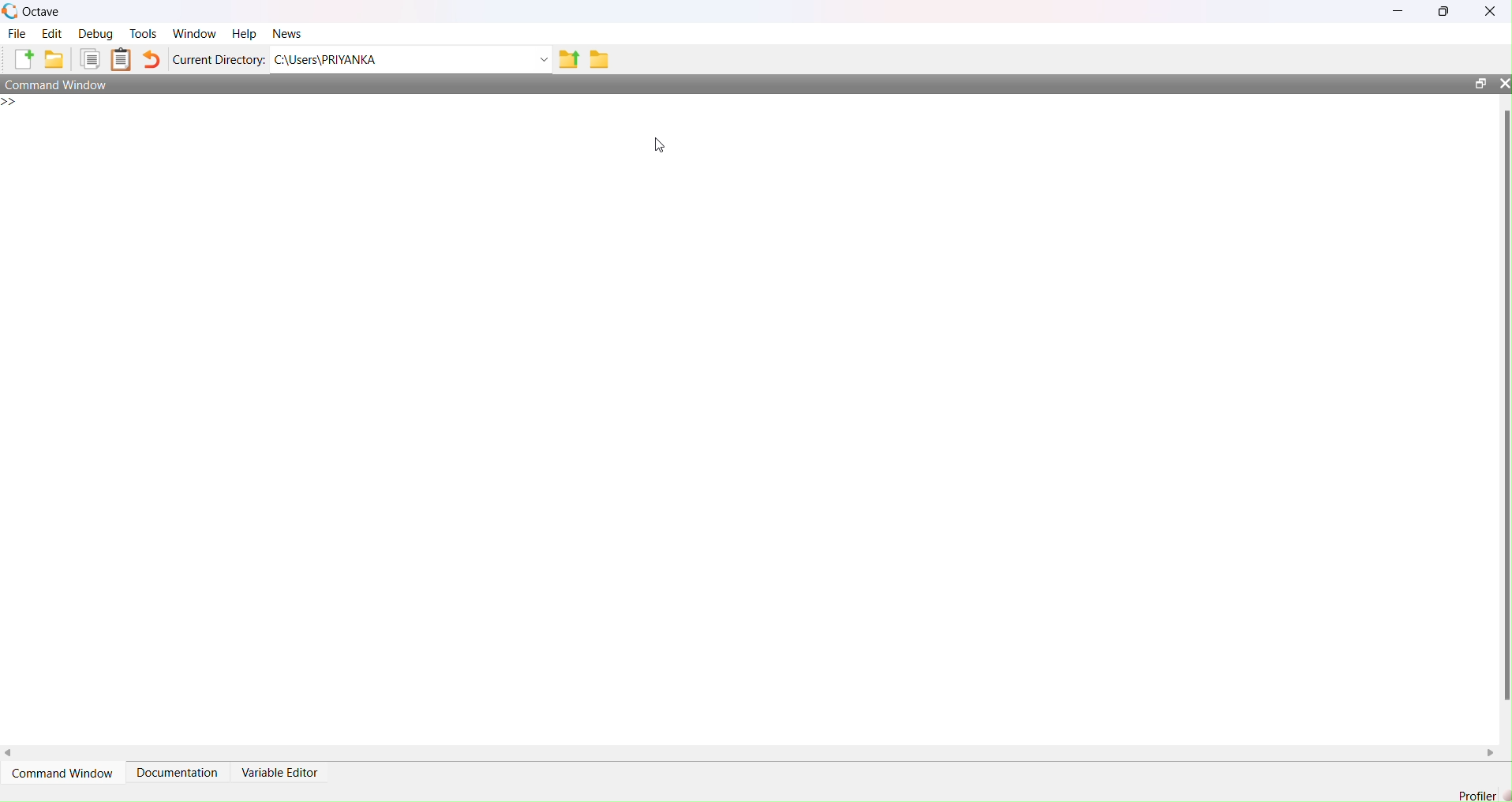 This screenshot has height=802, width=1512. What do you see at coordinates (61, 766) in the screenshot?
I see `Command Window` at bounding box center [61, 766].